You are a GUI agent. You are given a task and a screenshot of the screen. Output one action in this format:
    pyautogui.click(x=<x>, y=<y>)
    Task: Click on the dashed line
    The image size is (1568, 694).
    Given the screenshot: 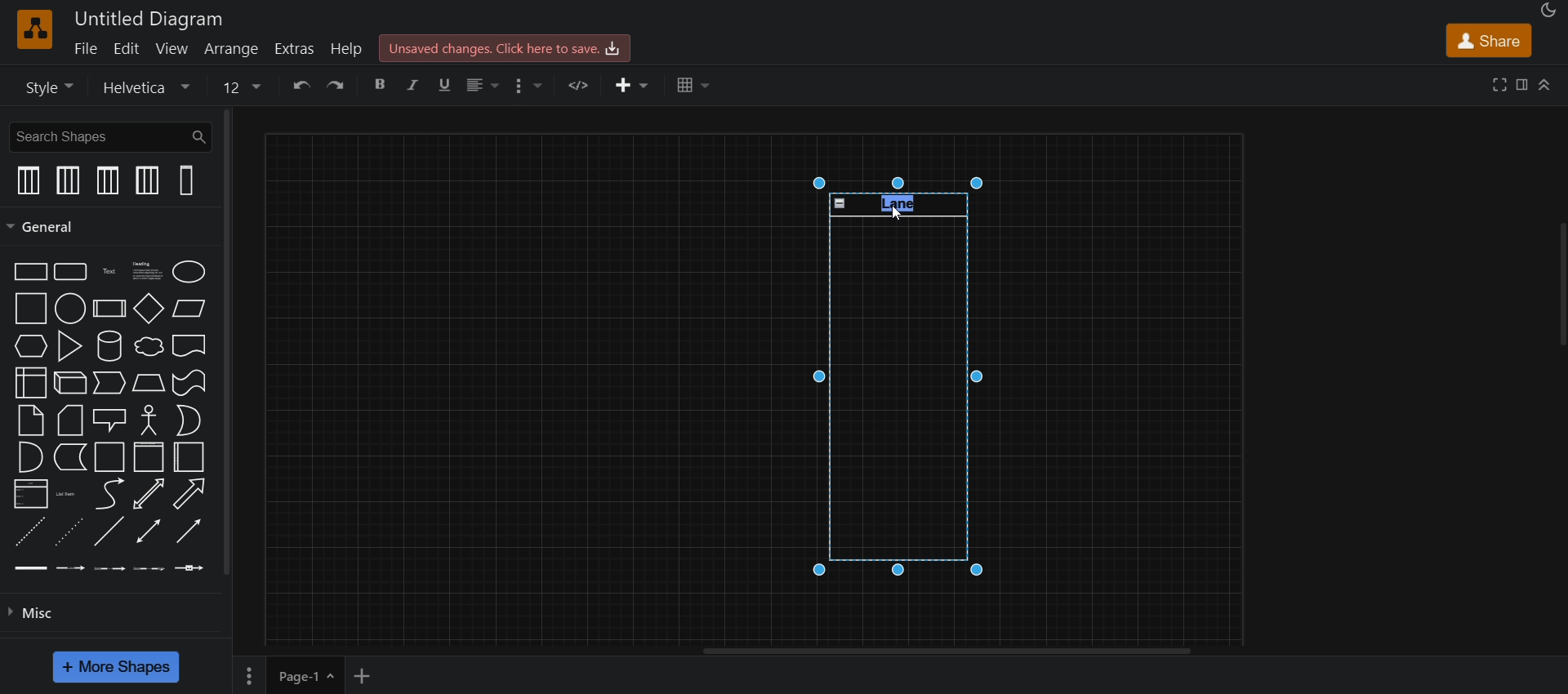 What is the action you would take?
    pyautogui.click(x=25, y=532)
    